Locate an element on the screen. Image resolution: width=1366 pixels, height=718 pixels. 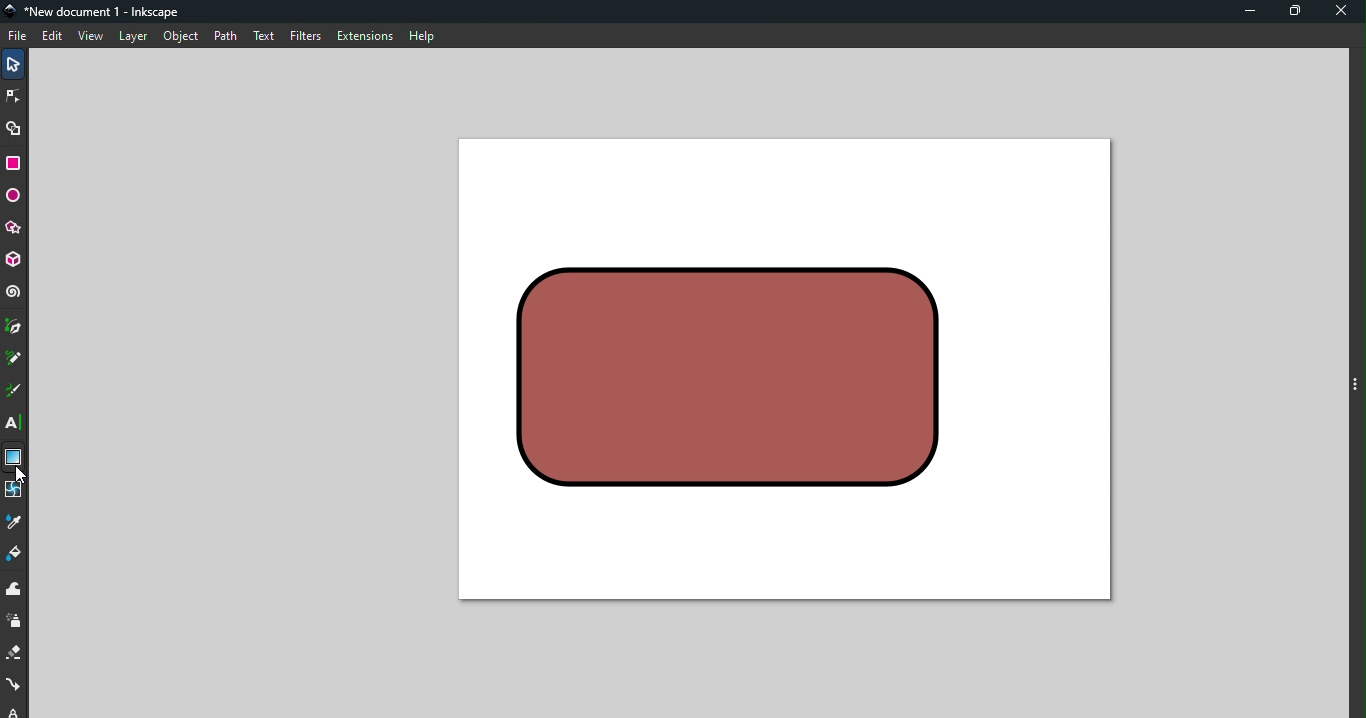
Dropper tool is located at coordinates (15, 523).